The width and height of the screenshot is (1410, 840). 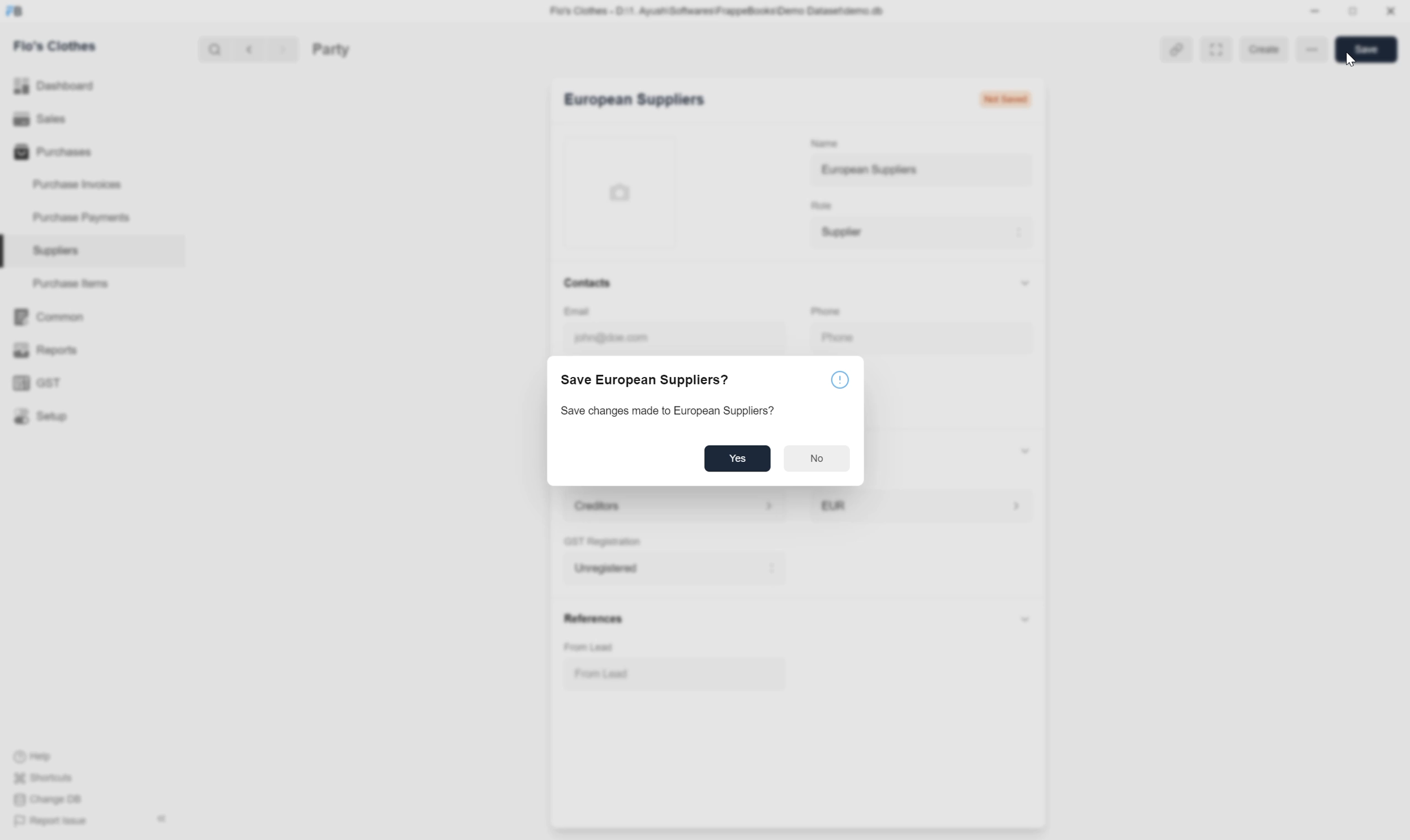 What do you see at coordinates (48, 318) in the screenshot?
I see `common` at bounding box center [48, 318].